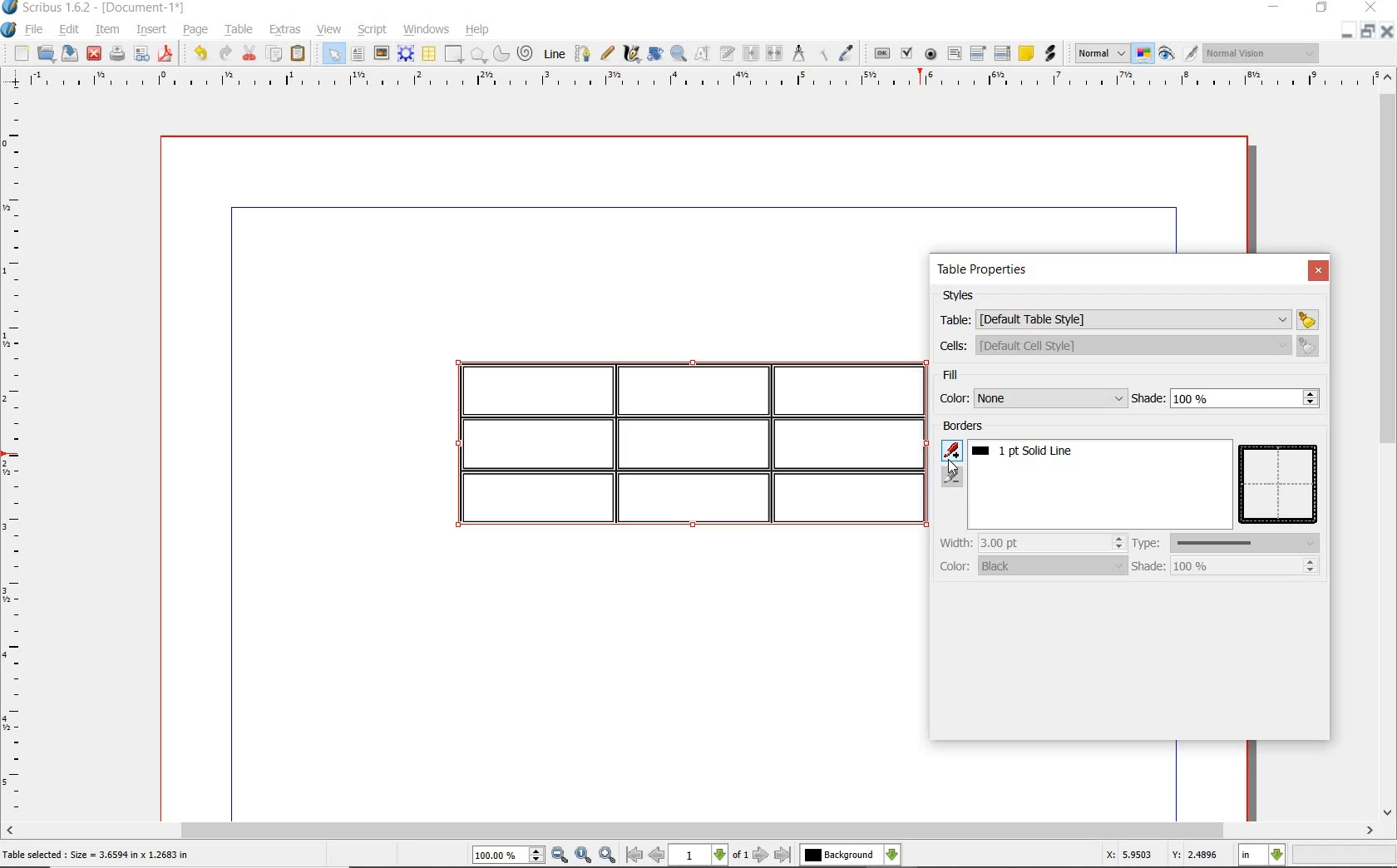 This screenshot has height=868, width=1397. I want to click on preflight verifier, so click(140, 55).